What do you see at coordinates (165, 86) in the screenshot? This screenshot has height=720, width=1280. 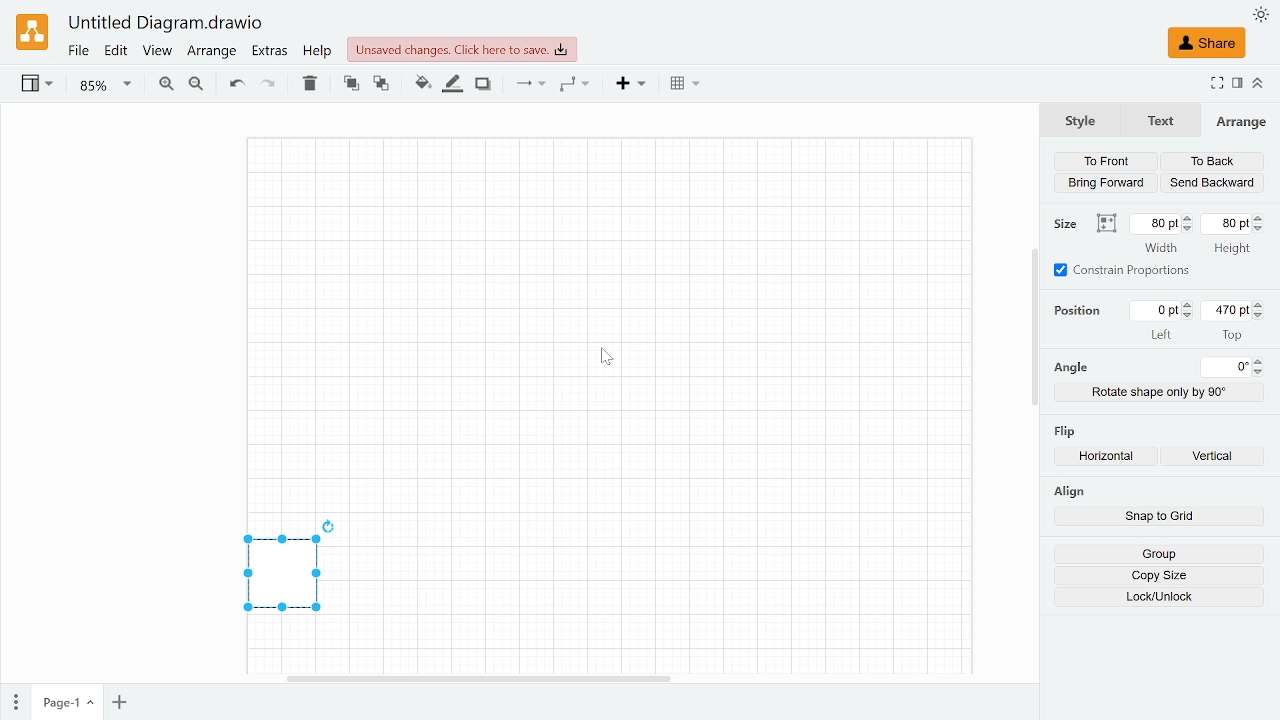 I see `Zoom in` at bounding box center [165, 86].